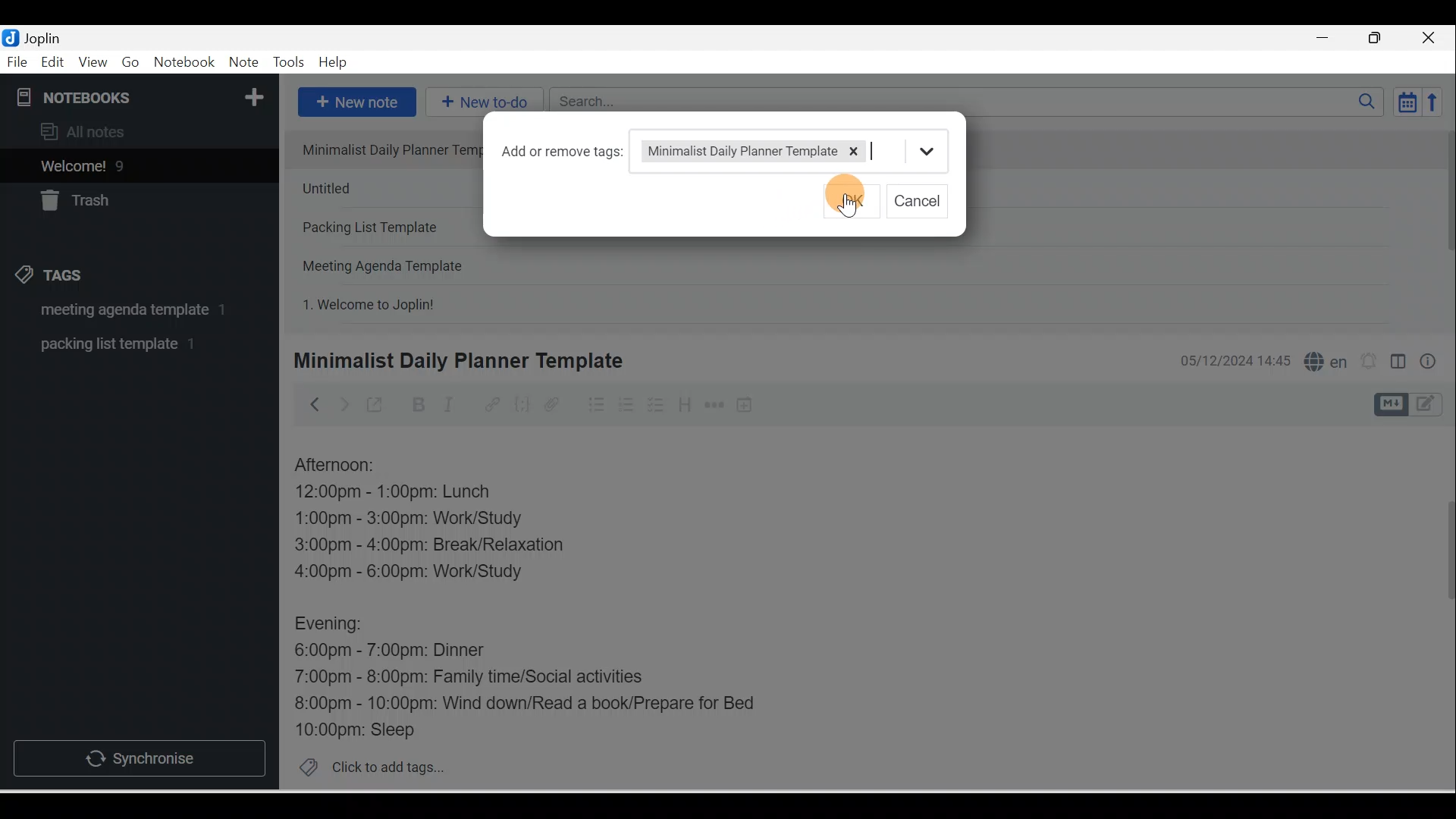  I want to click on 3:00pm - 4:00pm: Break/Relaxation, so click(462, 547).